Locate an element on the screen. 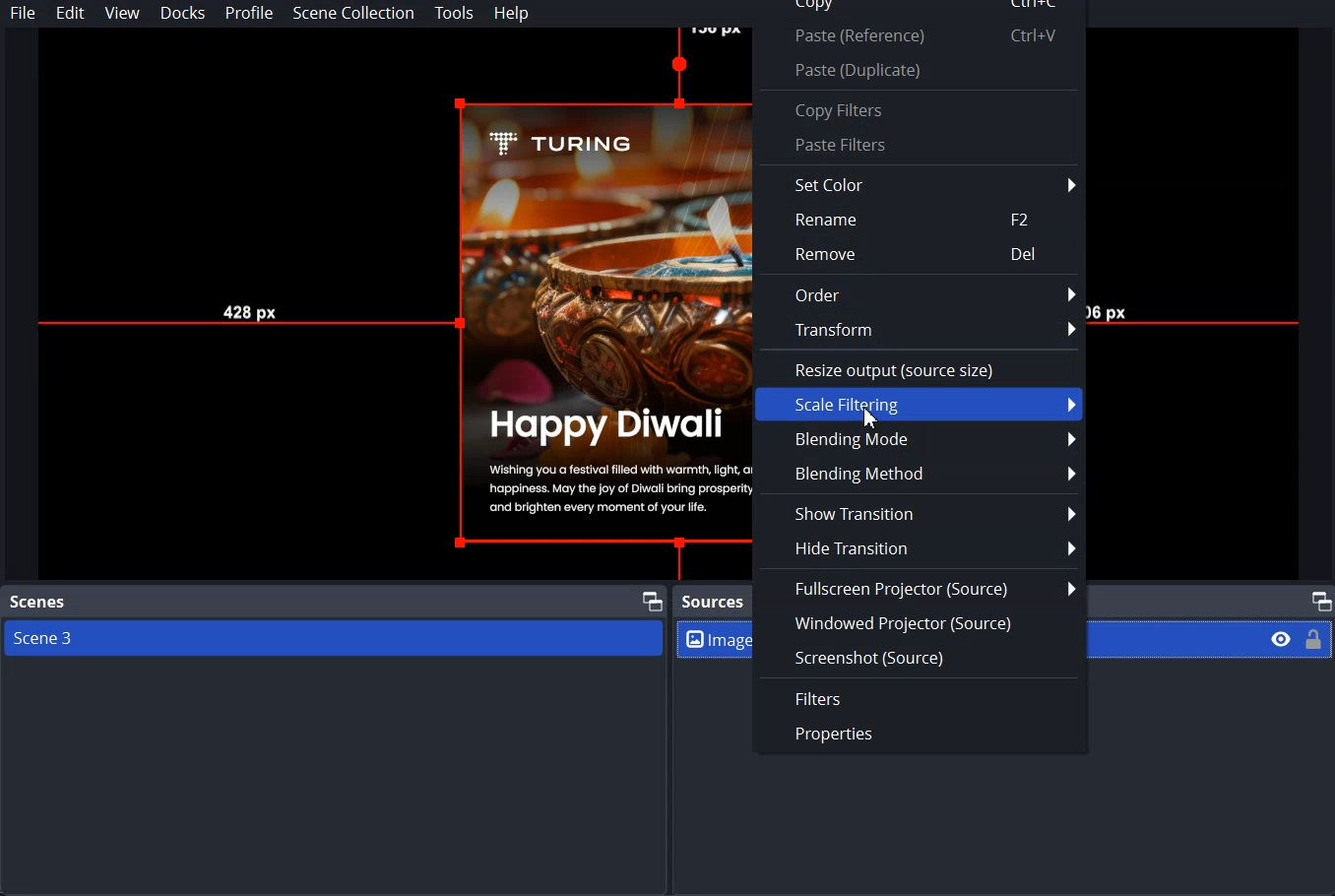  Paste  is located at coordinates (919, 69).